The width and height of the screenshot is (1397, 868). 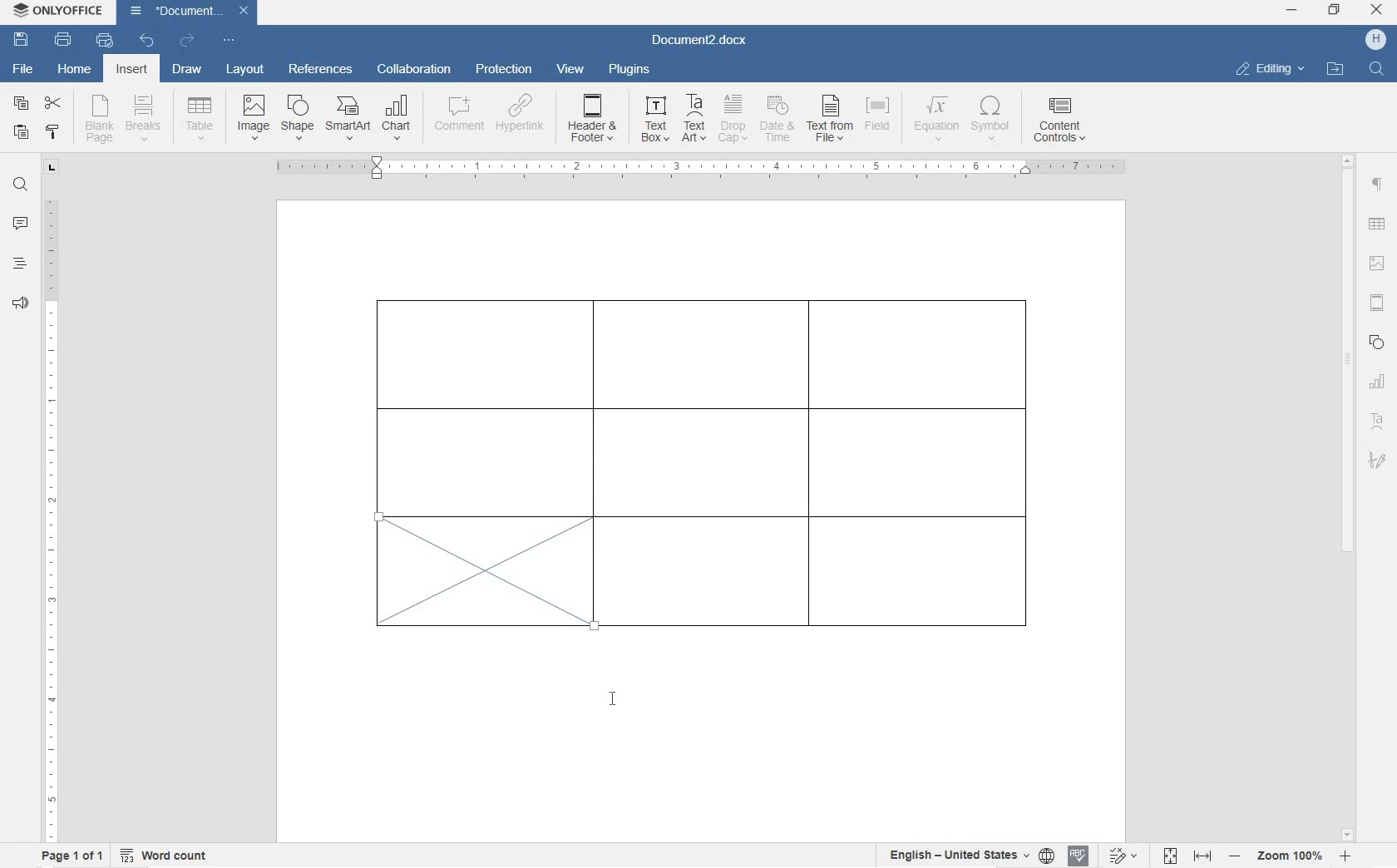 I want to click on layout, so click(x=246, y=70).